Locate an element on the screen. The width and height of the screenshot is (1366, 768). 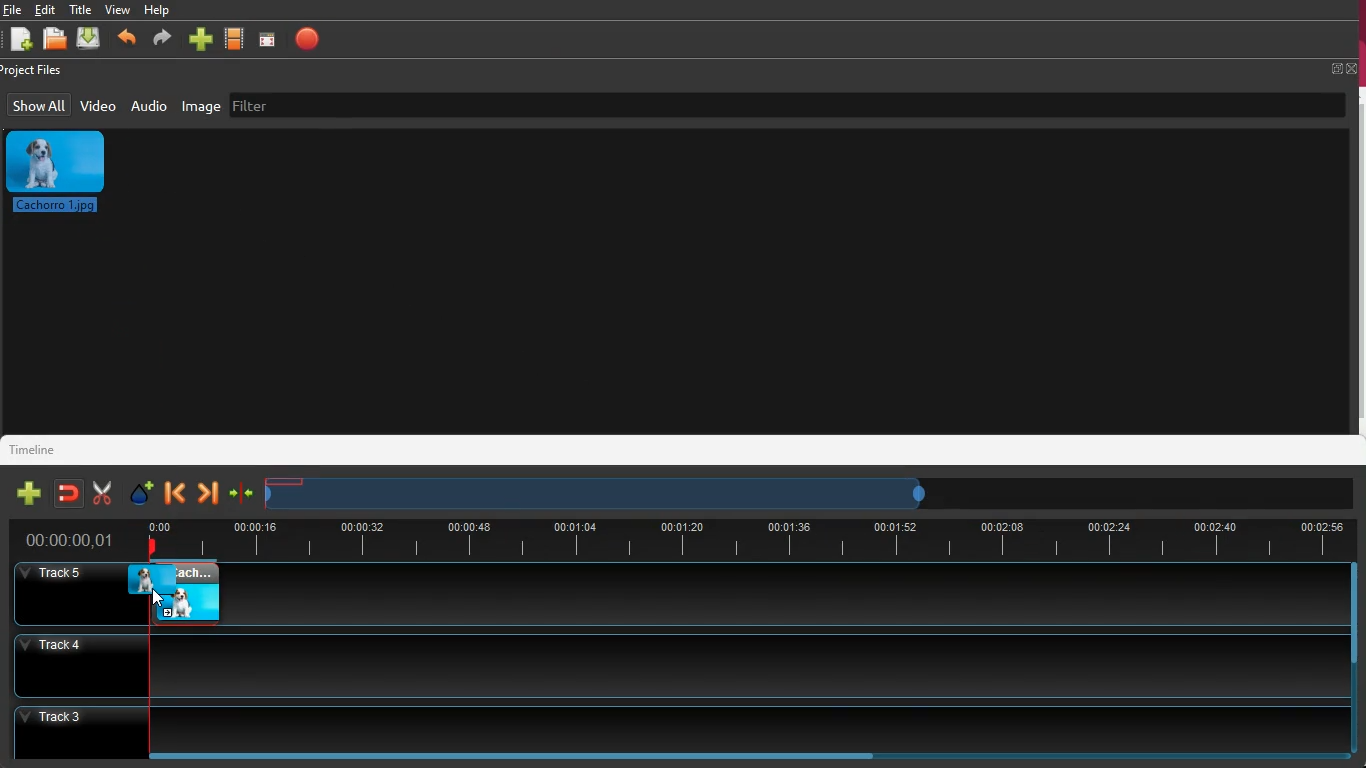
project files is located at coordinates (40, 70).